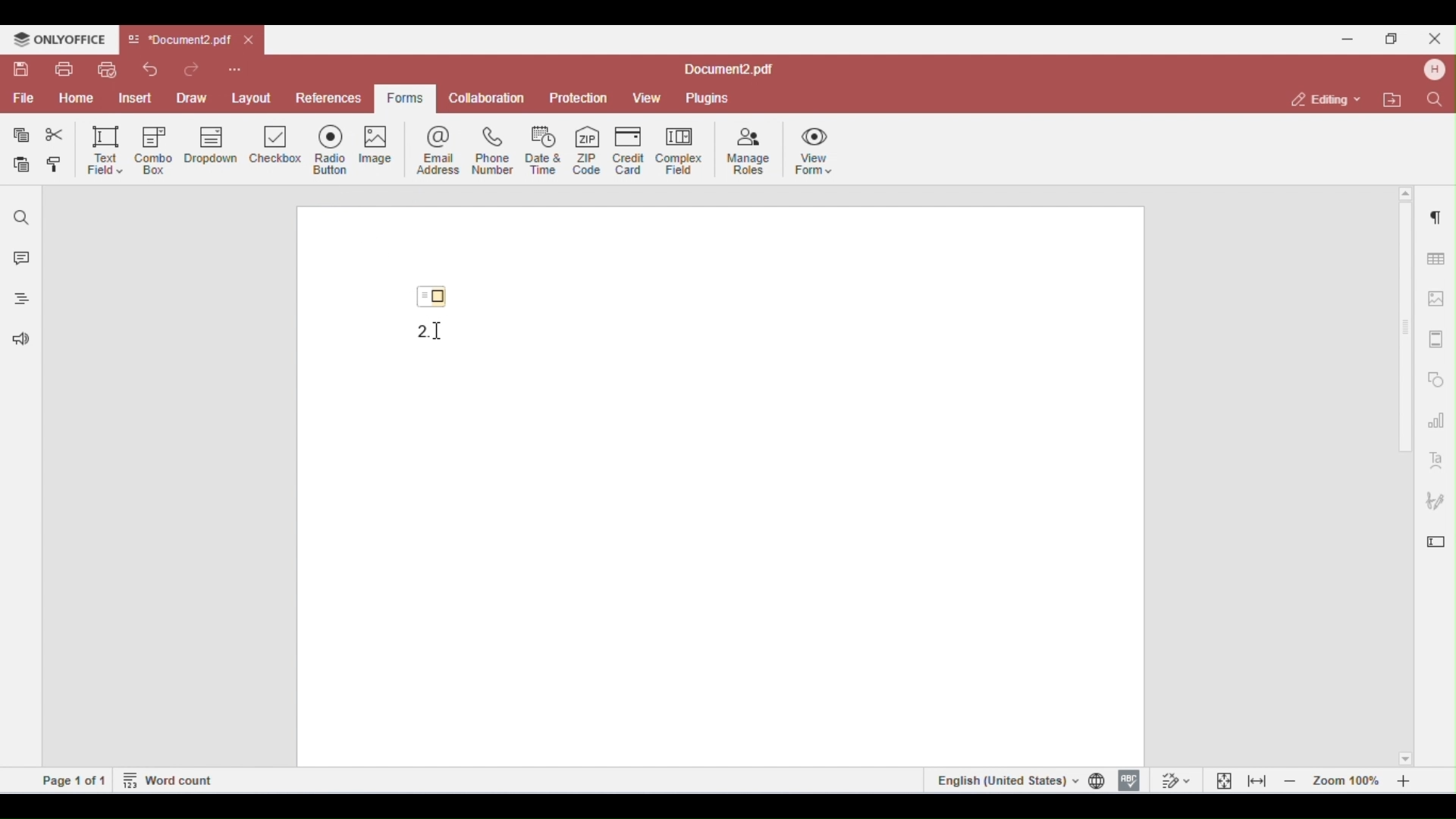 This screenshot has width=1456, height=819. Describe the element at coordinates (194, 97) in the screenshot. I see `draw` at that location.